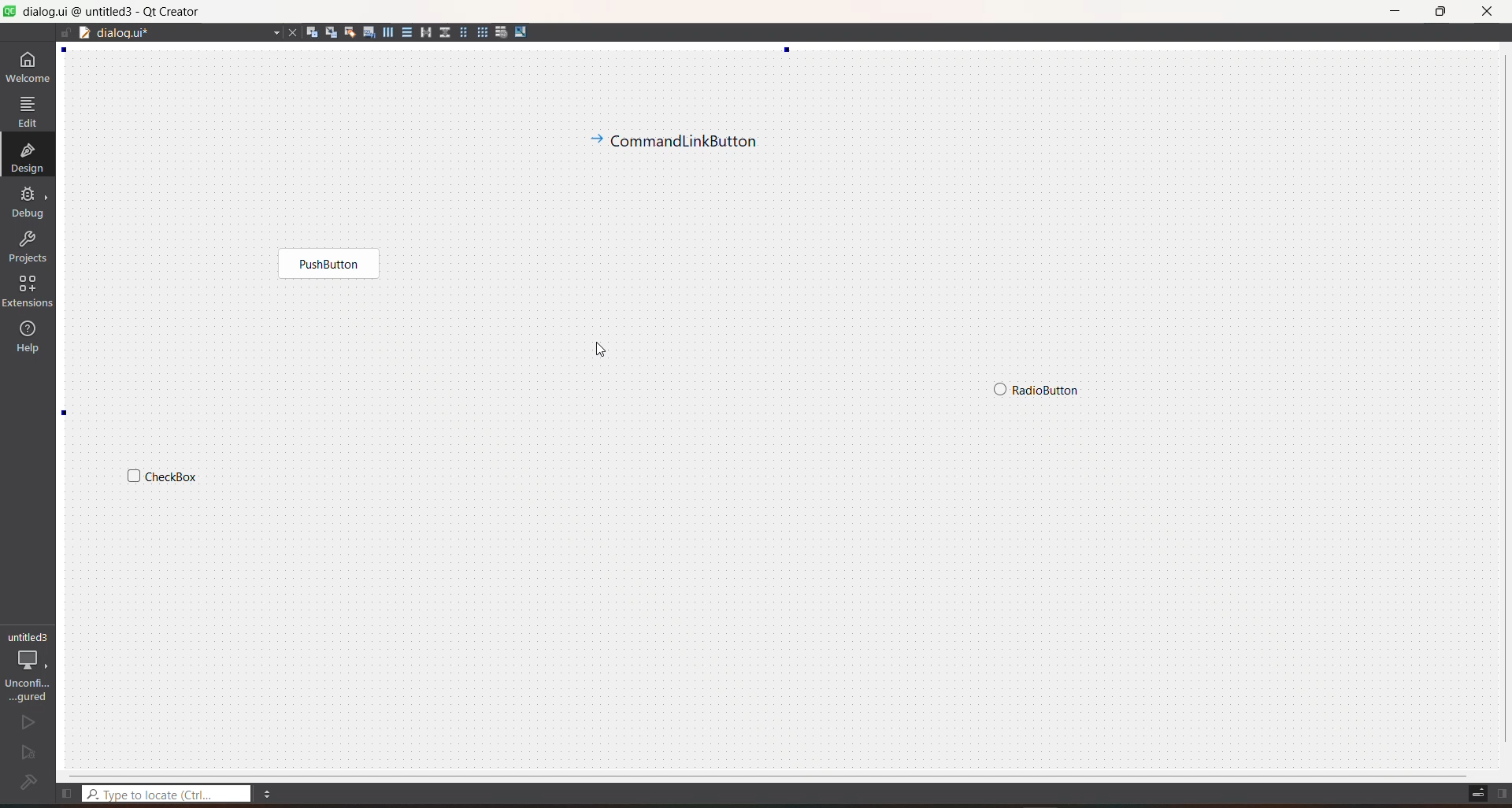 This screenshot has width=1512, height=808. Describe the element at coordinates (423, 32) in the screenshot. I see `layout horizontal splitter` at that location.